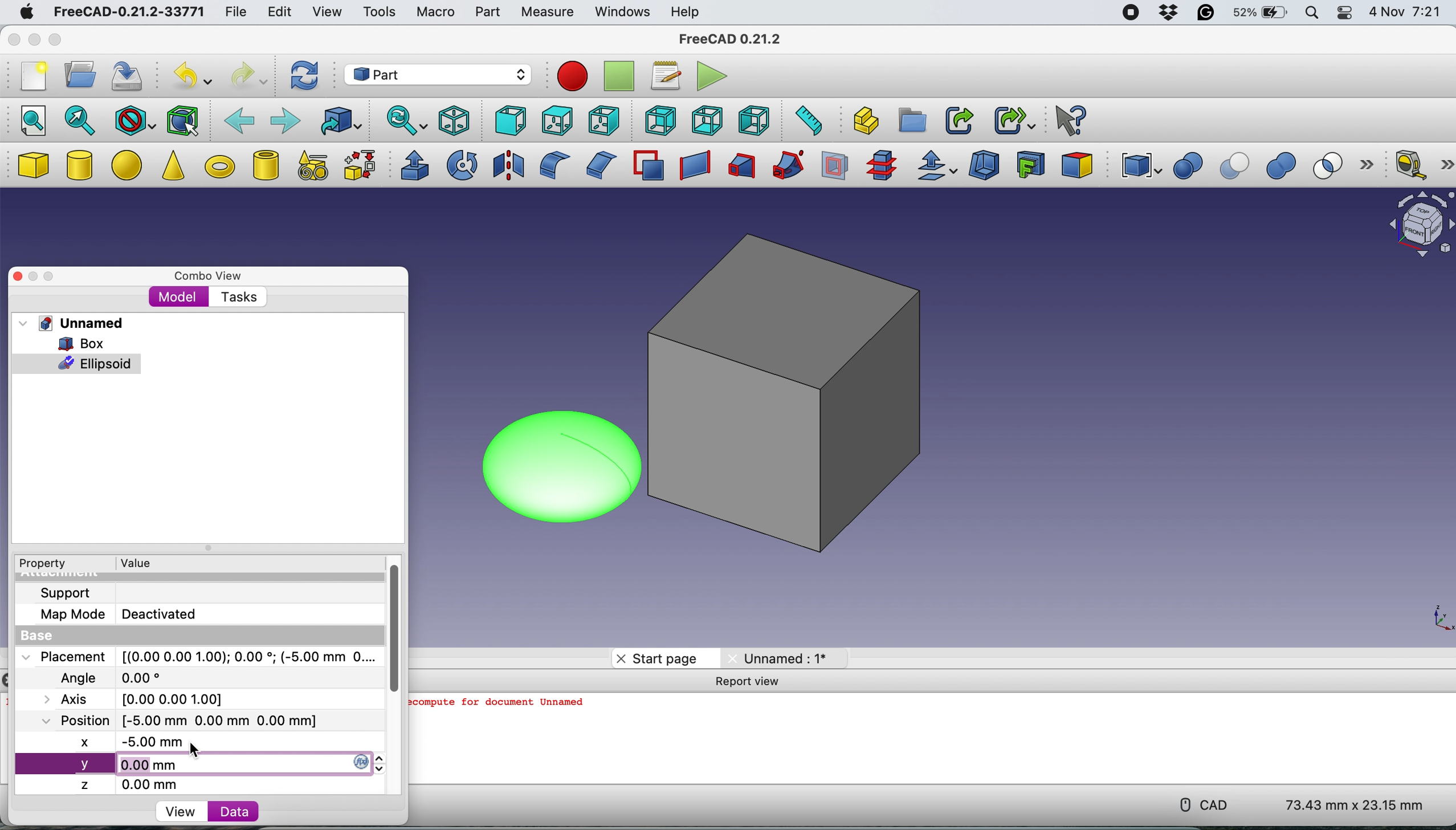 The height and width of the screenshot is (830, 1456). I want to click on grammarly, so click(1205, 14).